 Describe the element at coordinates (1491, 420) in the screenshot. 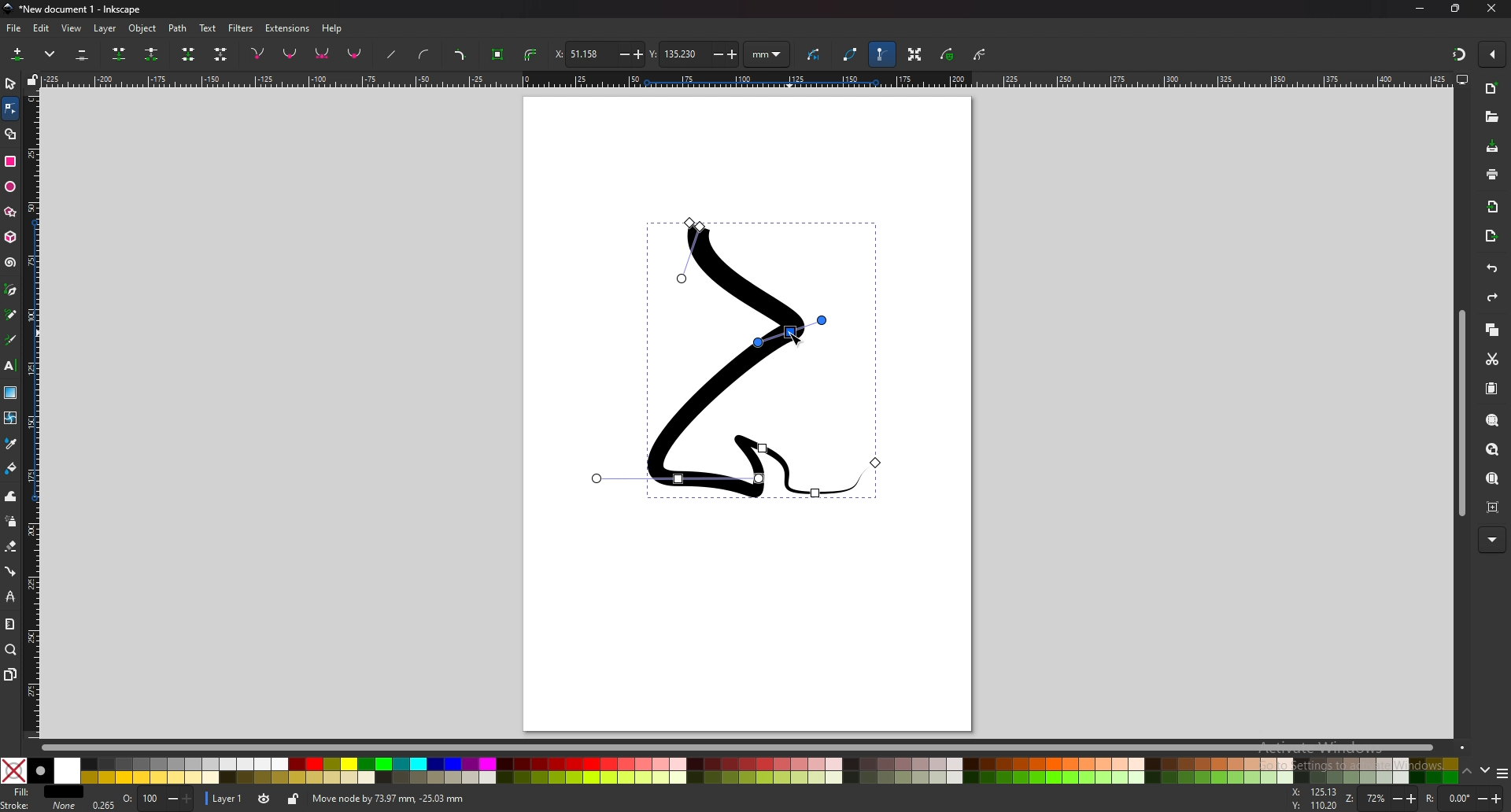

I see `zoom selection` at that location.